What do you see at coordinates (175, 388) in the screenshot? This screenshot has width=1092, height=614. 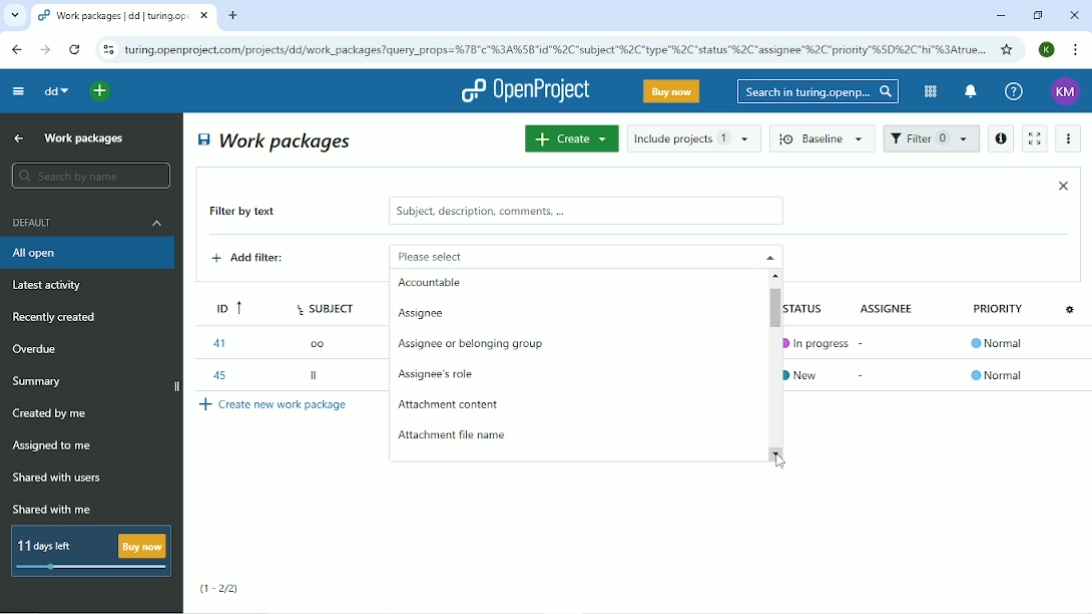 I see `close side bar` at bounding box center [175, 388].